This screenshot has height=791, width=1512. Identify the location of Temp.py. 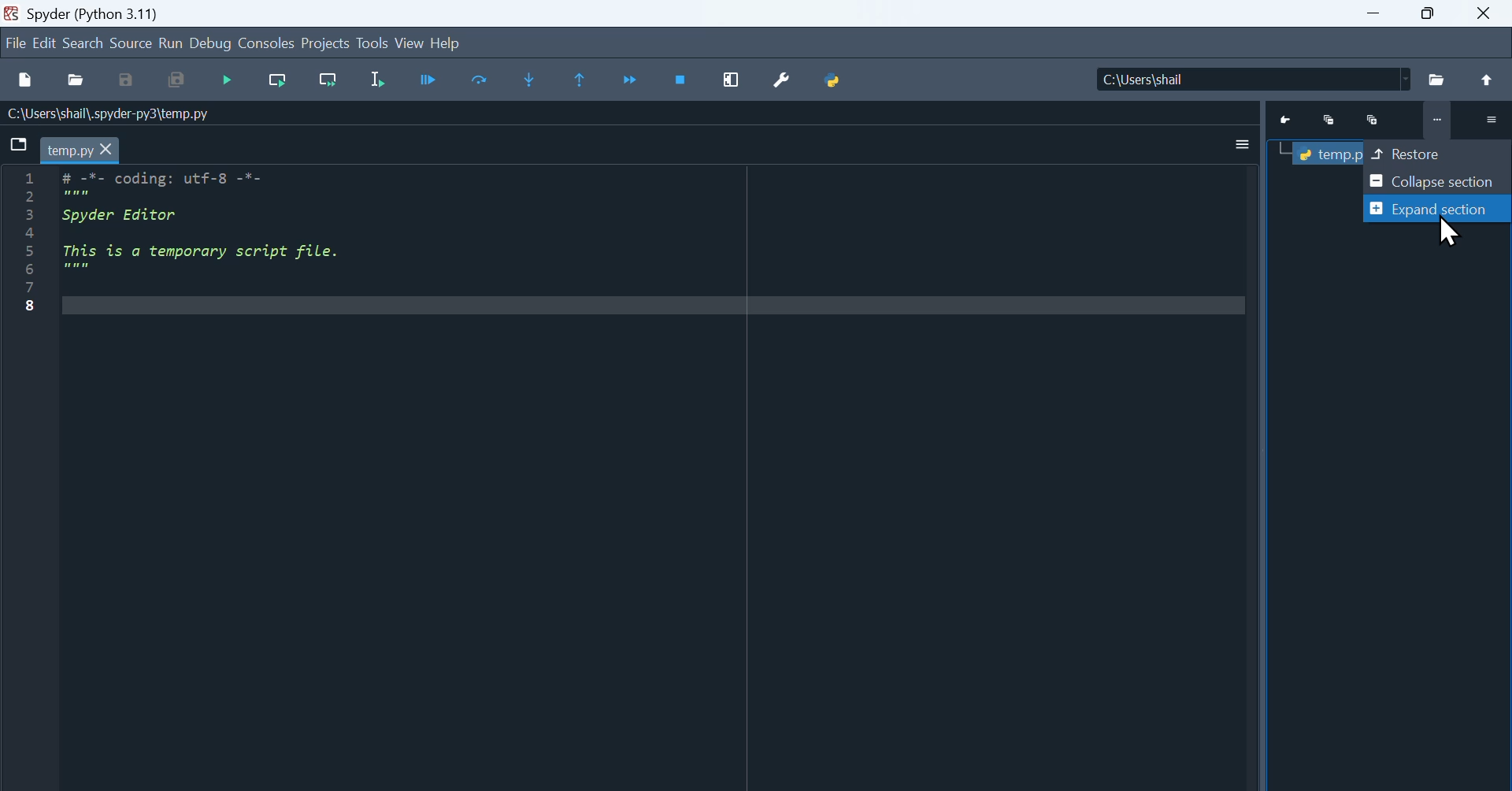
(1326, 153).